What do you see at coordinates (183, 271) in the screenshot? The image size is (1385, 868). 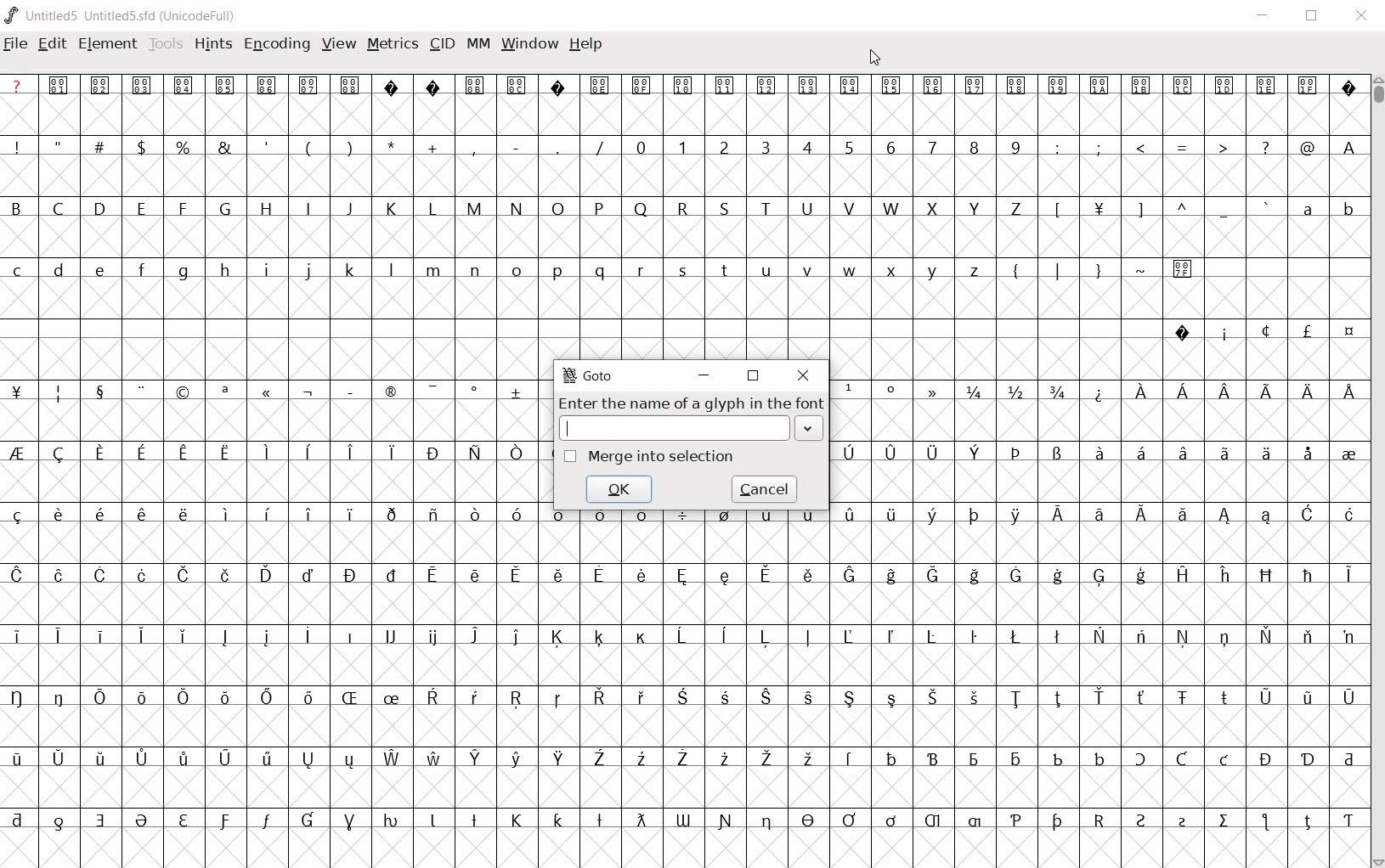 I see `g` at bounding box center [183, 271].